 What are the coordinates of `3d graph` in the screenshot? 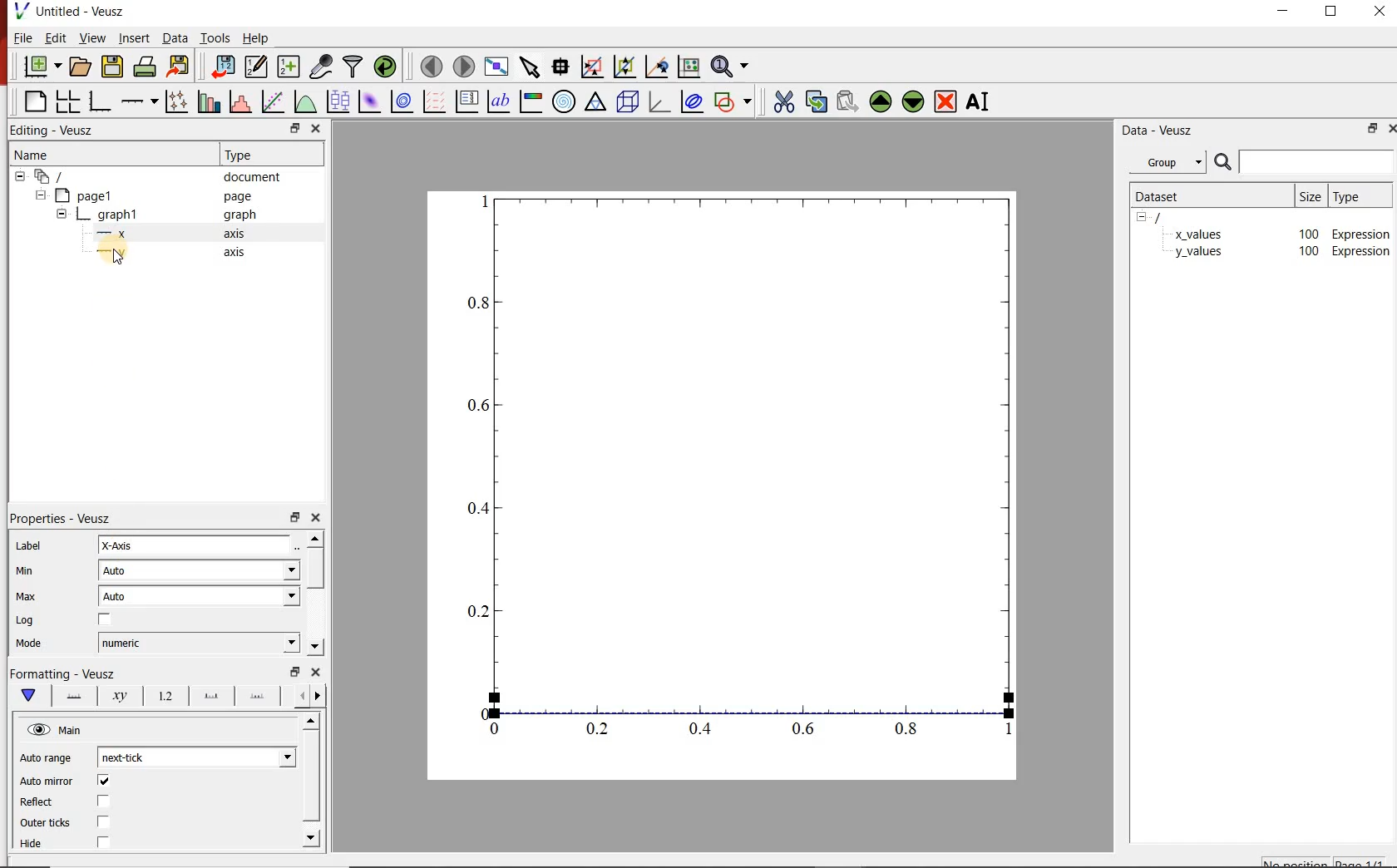 It's located at (660, 104).